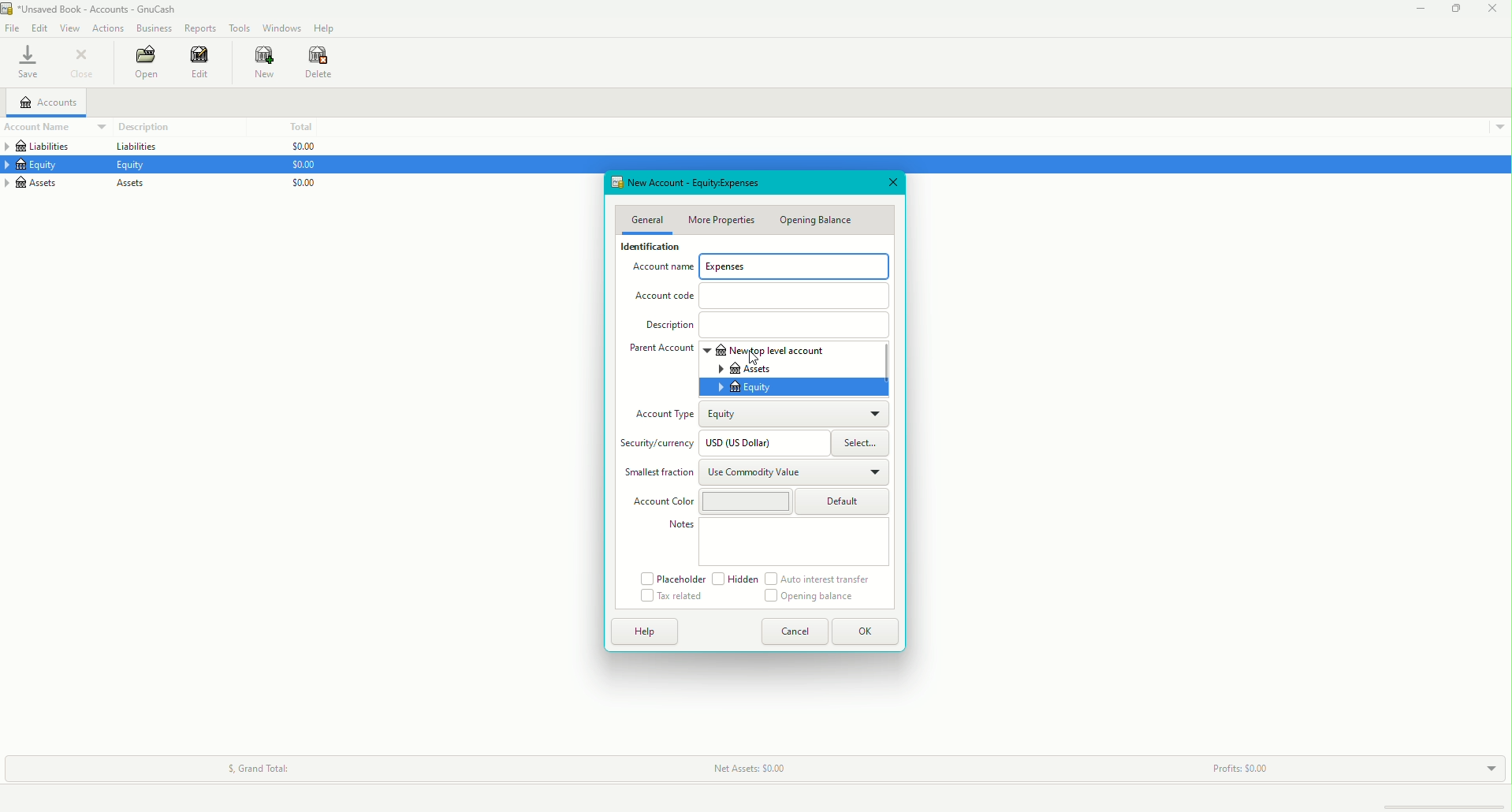 This screenshot has width=1512, height=812. What do you see at coordinates (816, 598) in the screenshot?
I see `Opening Balance` at bounding box center [816, 598].